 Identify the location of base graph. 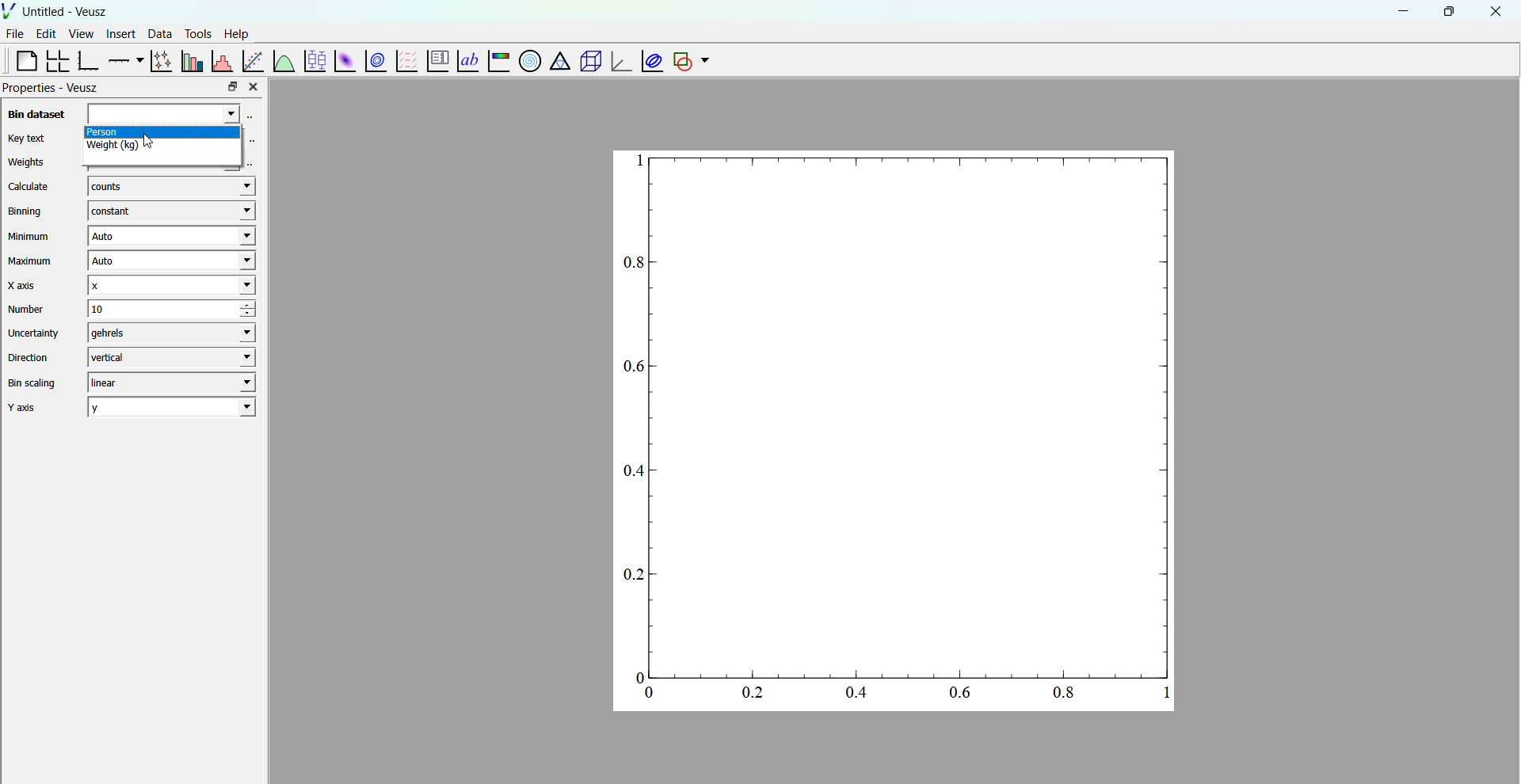
(88, 61).